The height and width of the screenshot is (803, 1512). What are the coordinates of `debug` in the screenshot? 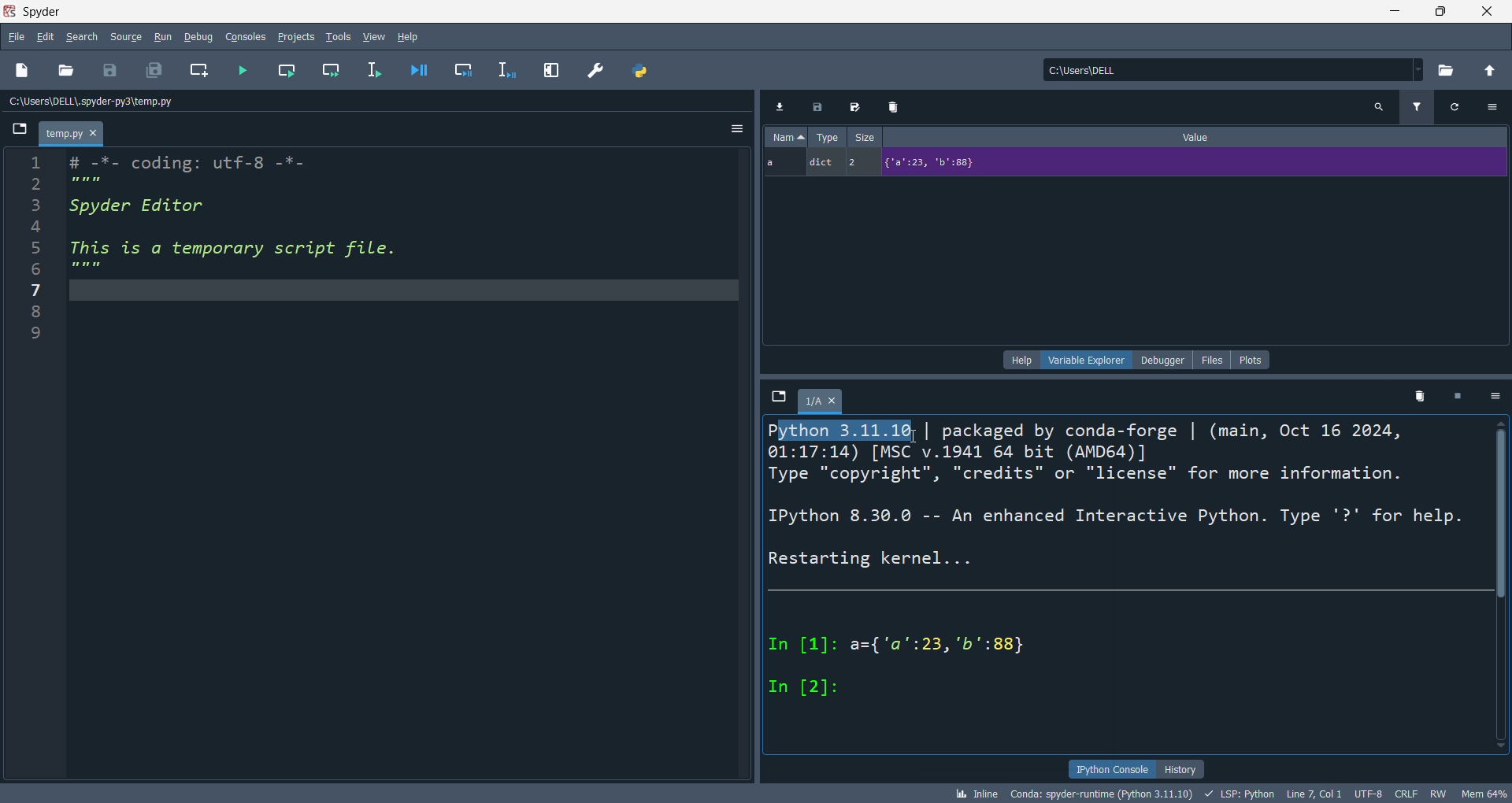 It's located at (201, 35).